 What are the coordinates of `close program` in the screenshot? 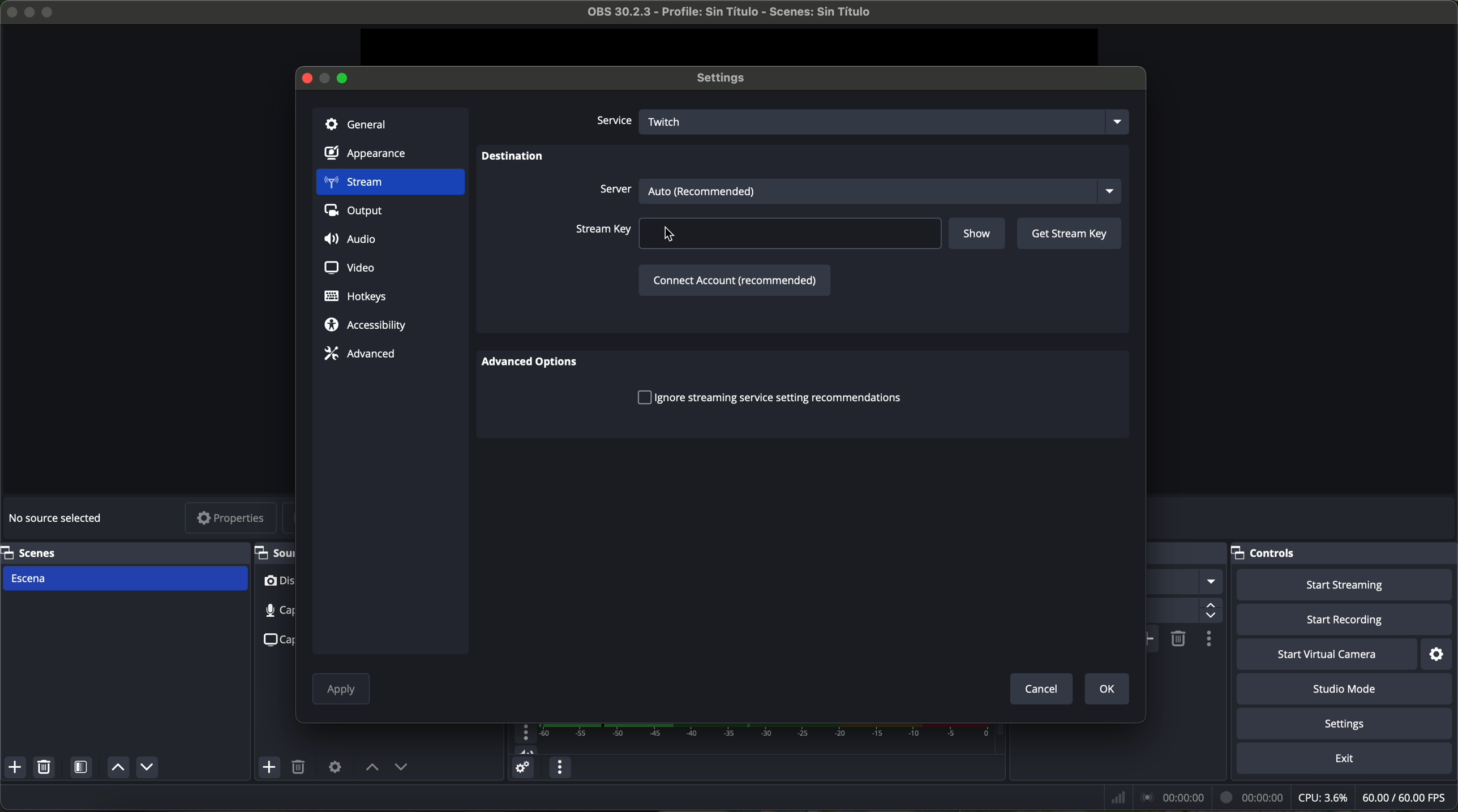 It's located at (9, 10).